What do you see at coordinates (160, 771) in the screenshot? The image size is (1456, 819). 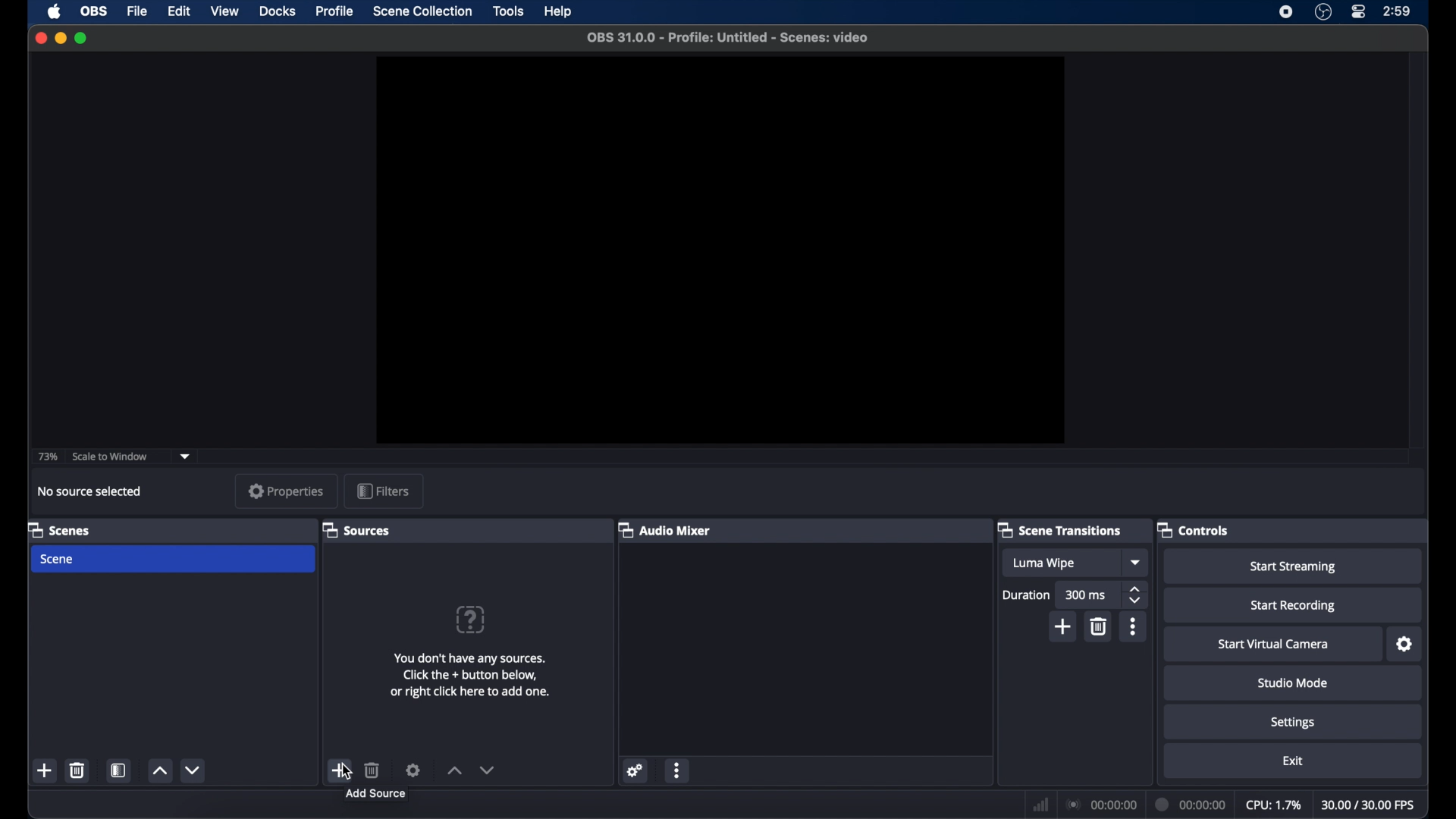 I see `increment` at bounding box center [160, 771].